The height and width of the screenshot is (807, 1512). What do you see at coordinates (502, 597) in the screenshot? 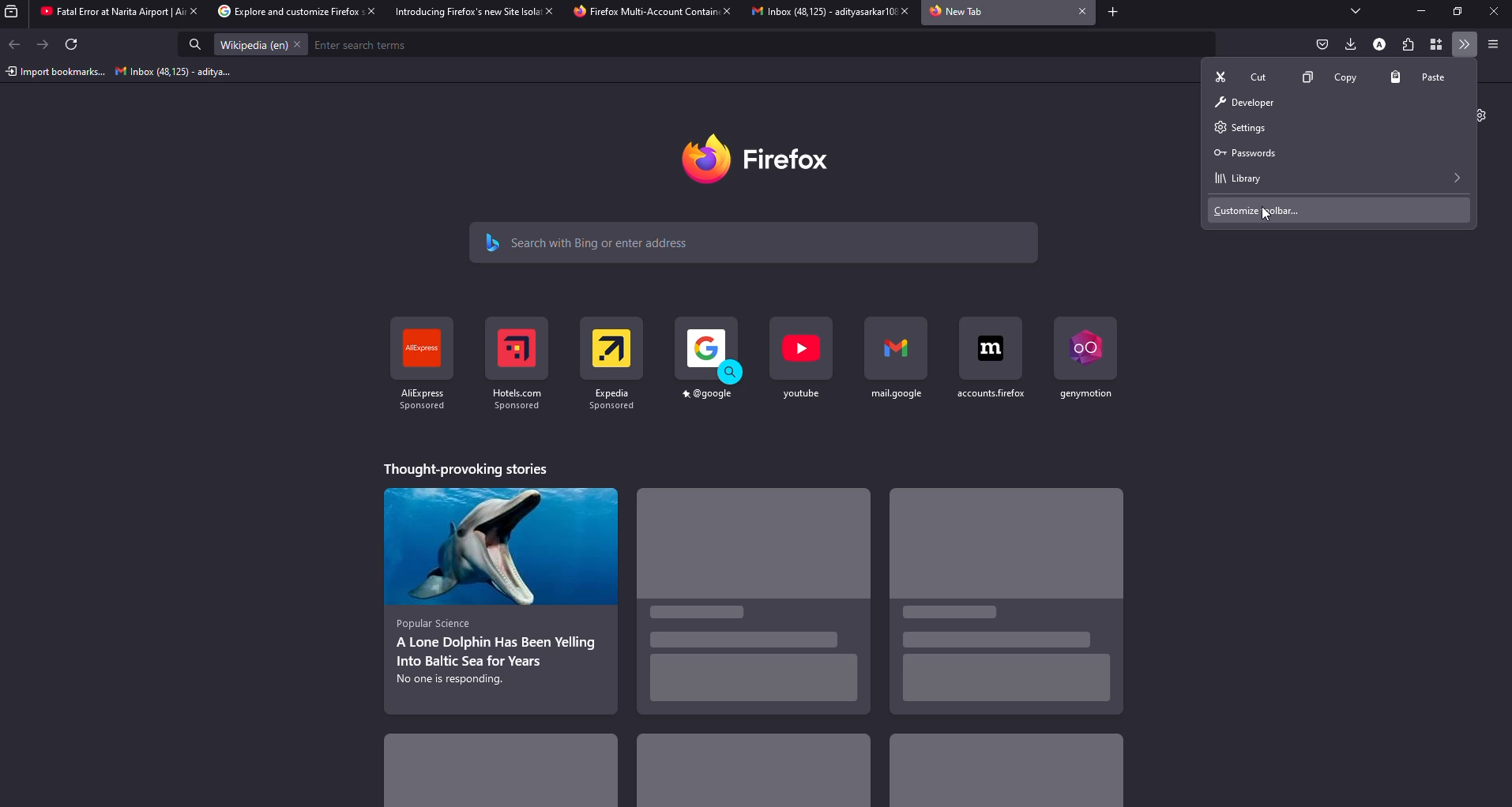
I see `stories` at bounding box center [502, 597].